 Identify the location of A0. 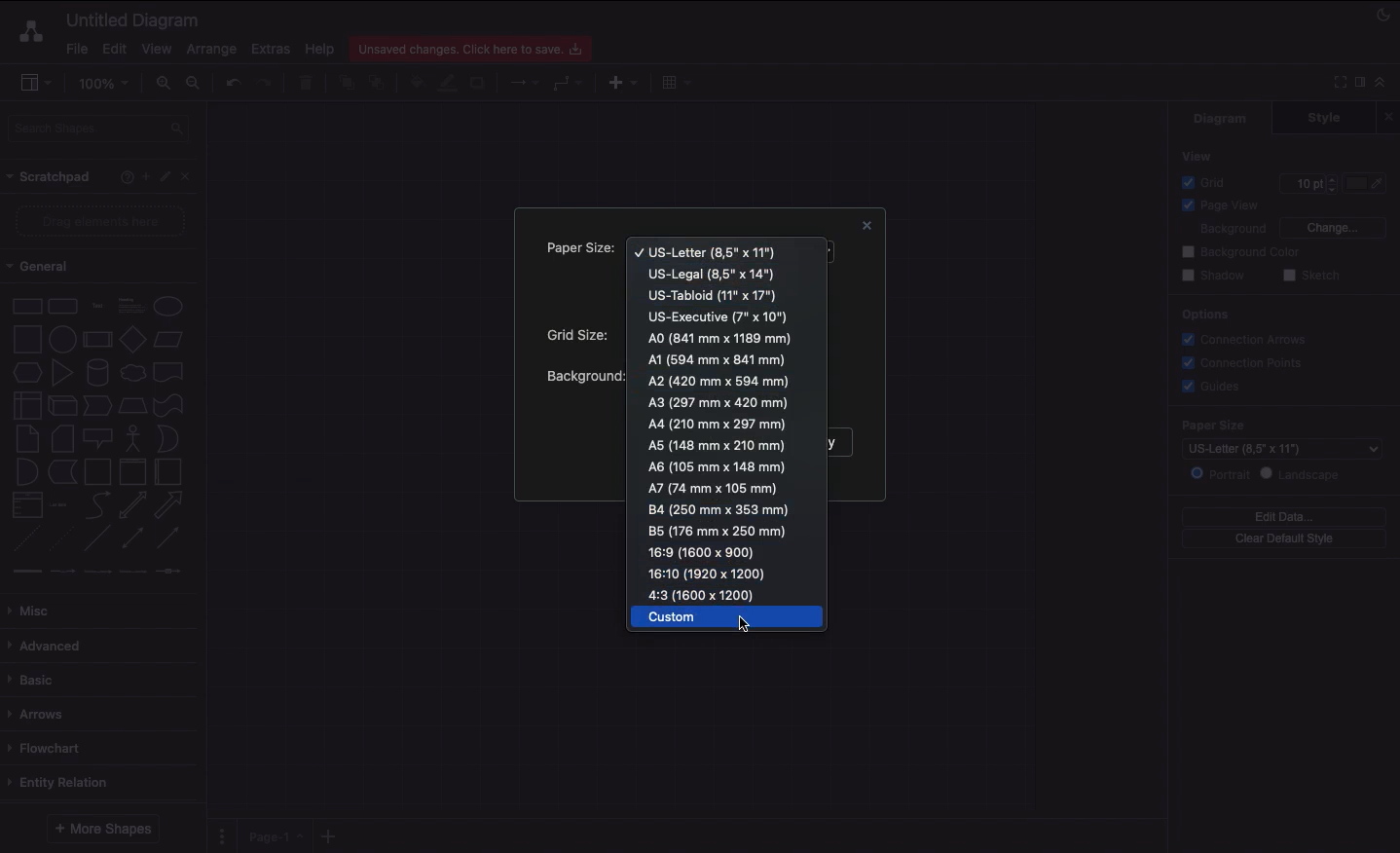
(721, 338).